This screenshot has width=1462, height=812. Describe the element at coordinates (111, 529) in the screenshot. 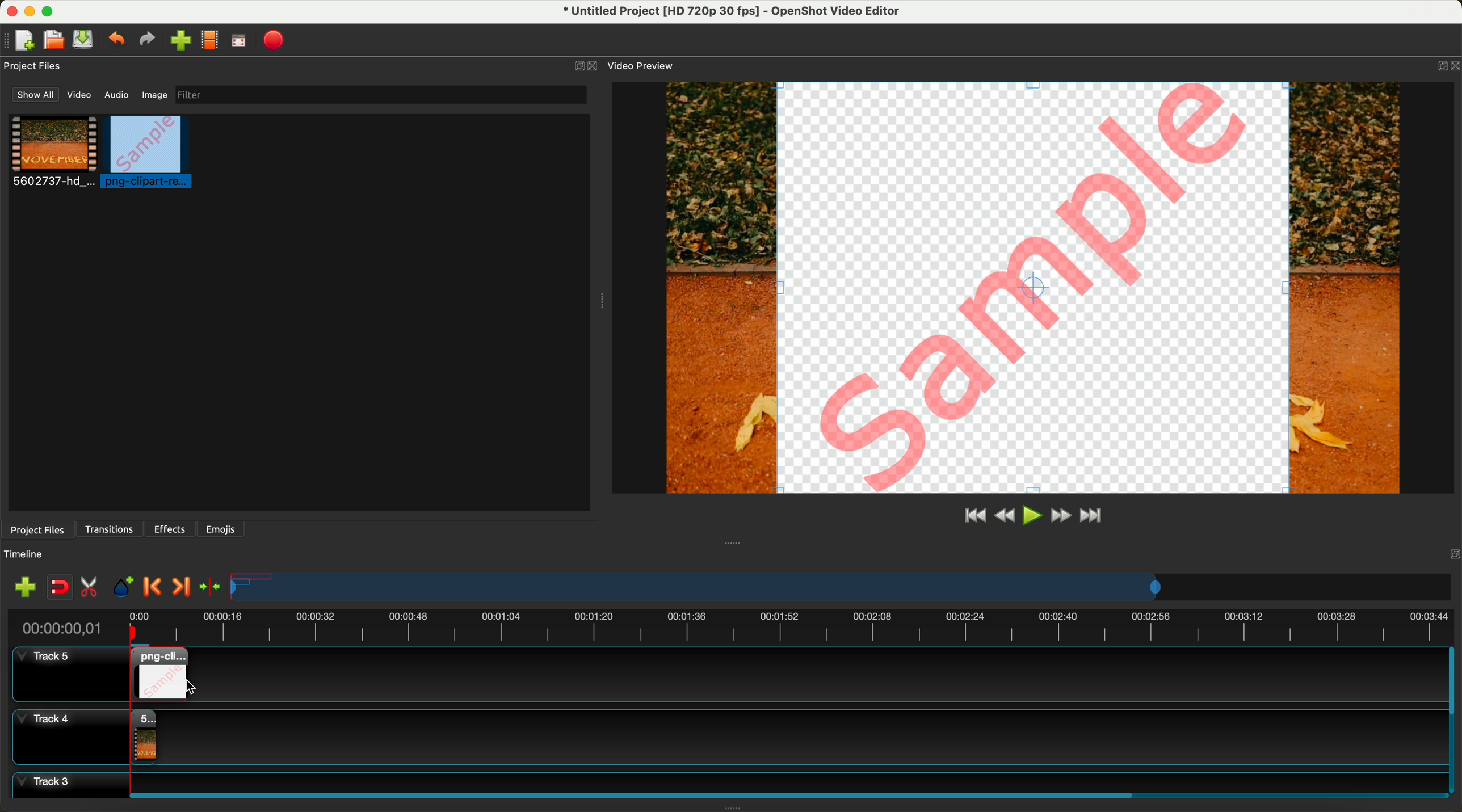

I see `transitions` at that location.